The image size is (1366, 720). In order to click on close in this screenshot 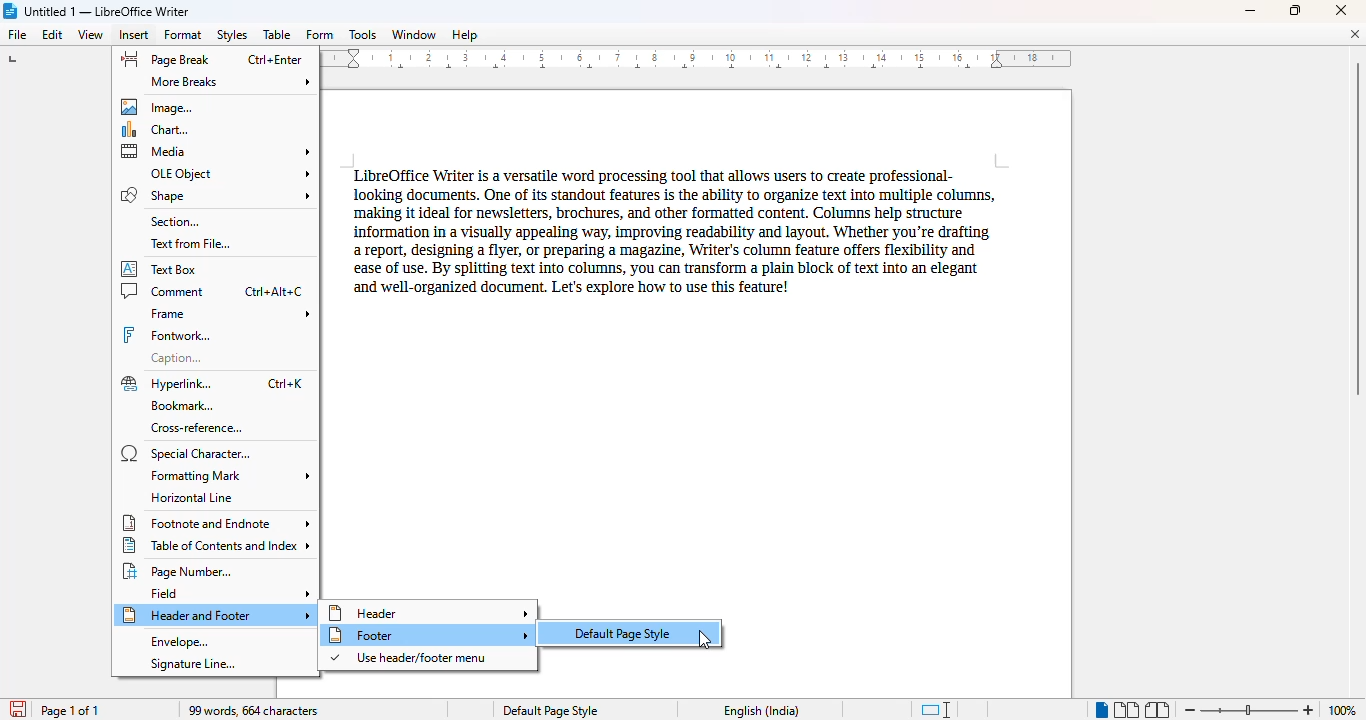, I will do `click(1343, 10)`.